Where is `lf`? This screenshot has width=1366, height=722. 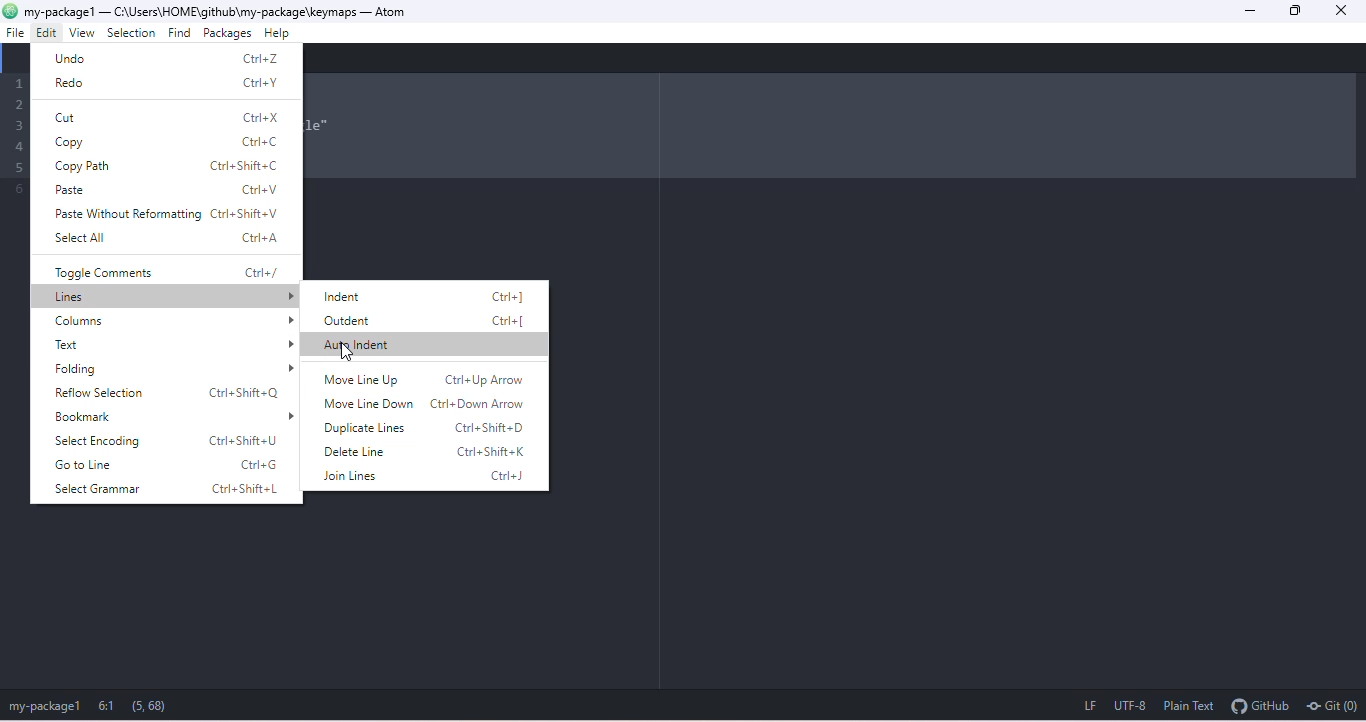
lf is located at coordinates (1081, 707).